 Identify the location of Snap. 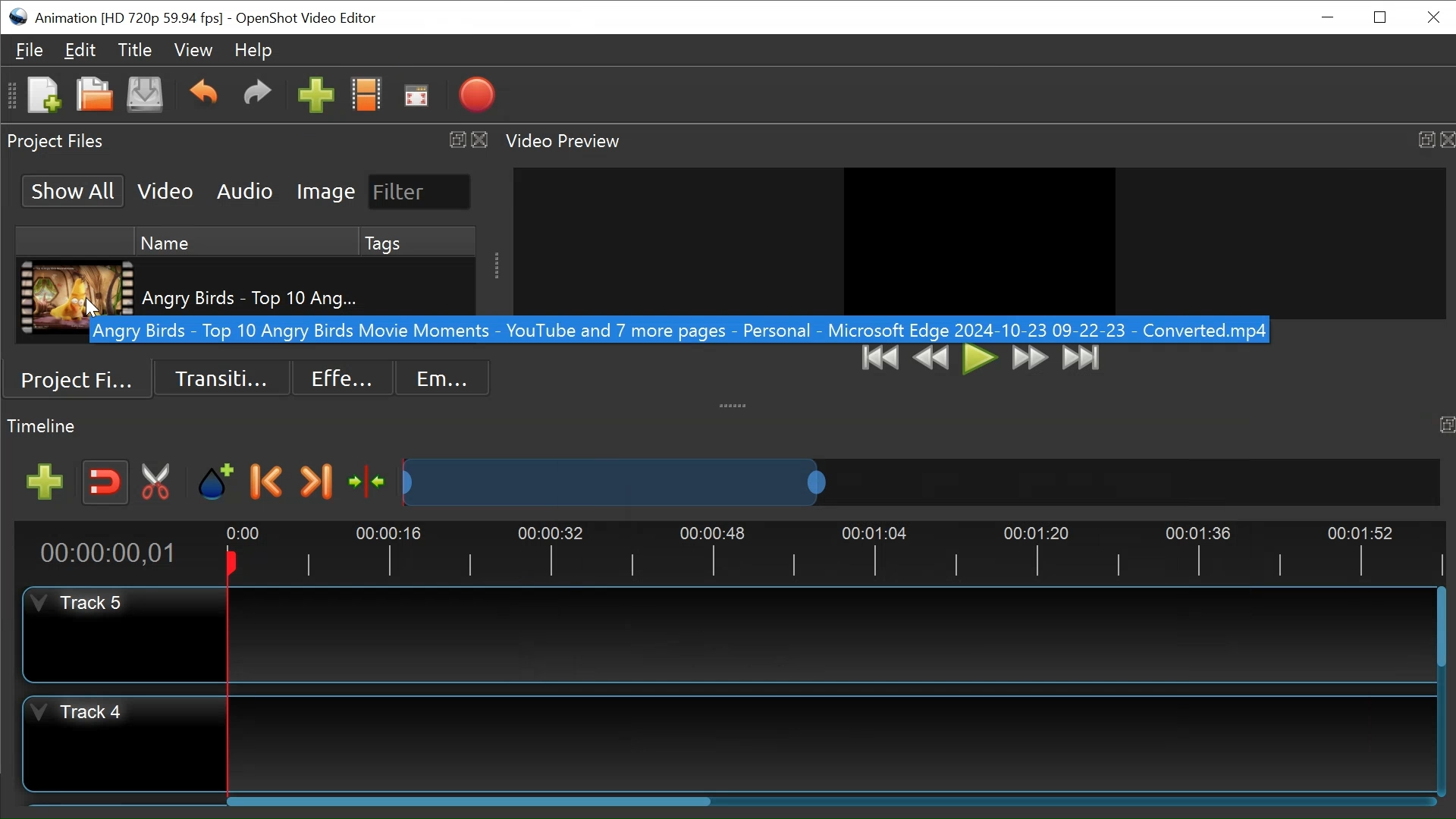
(105, 483).